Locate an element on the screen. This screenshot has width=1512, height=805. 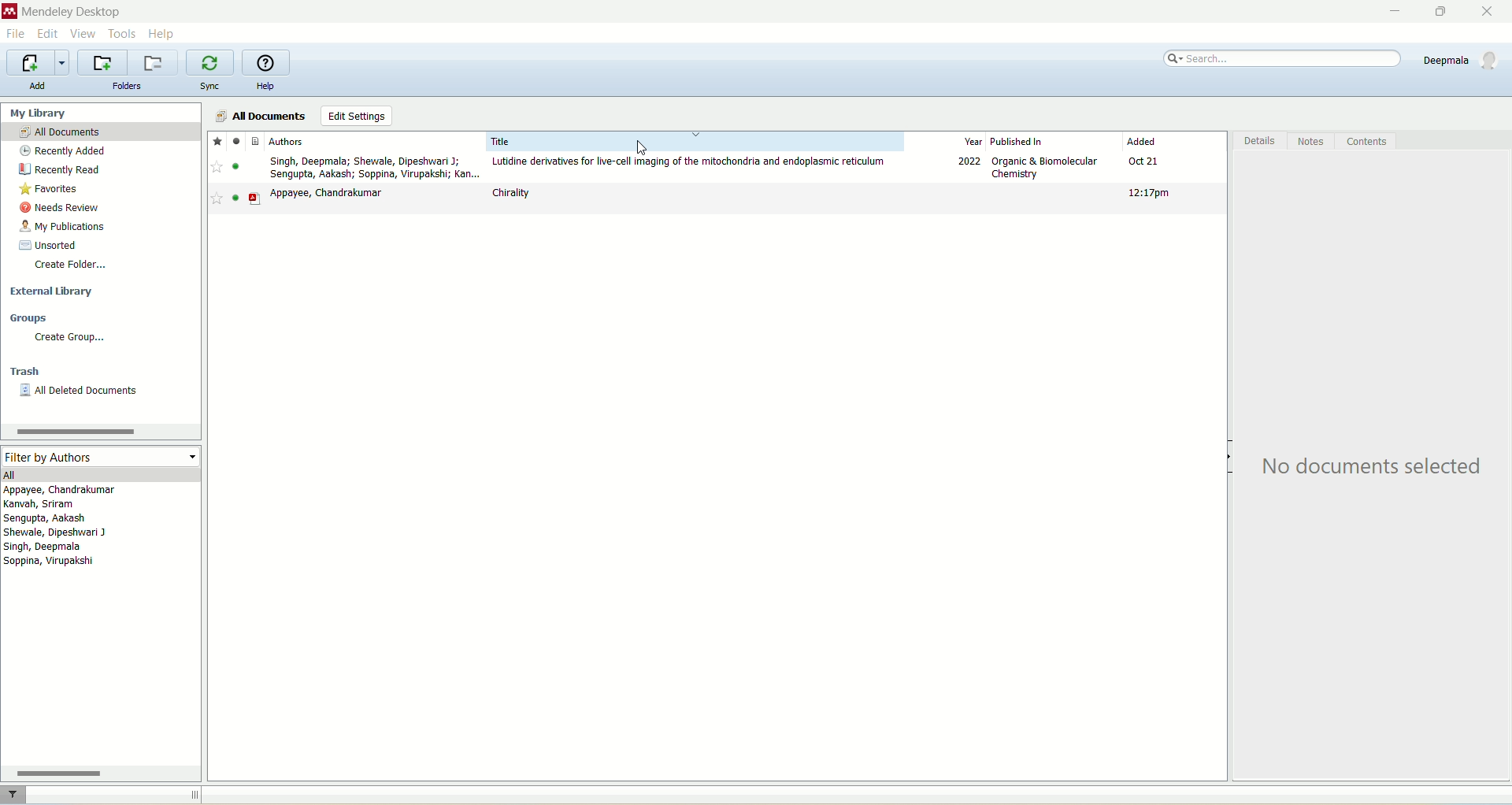
add is located at coordinates (39, 88).